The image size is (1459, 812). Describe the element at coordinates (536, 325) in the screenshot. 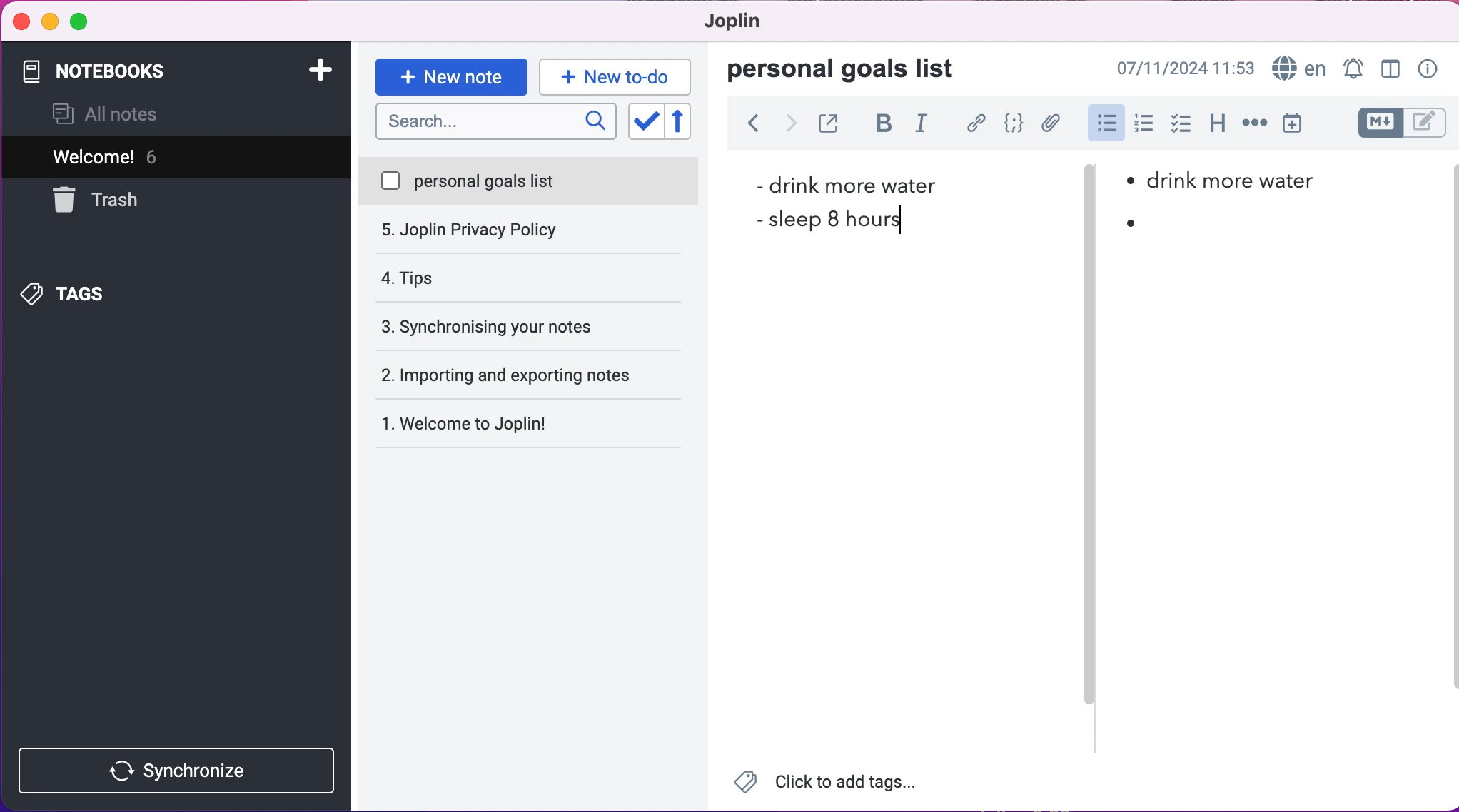

I see `importing and exporting notes` at that location.